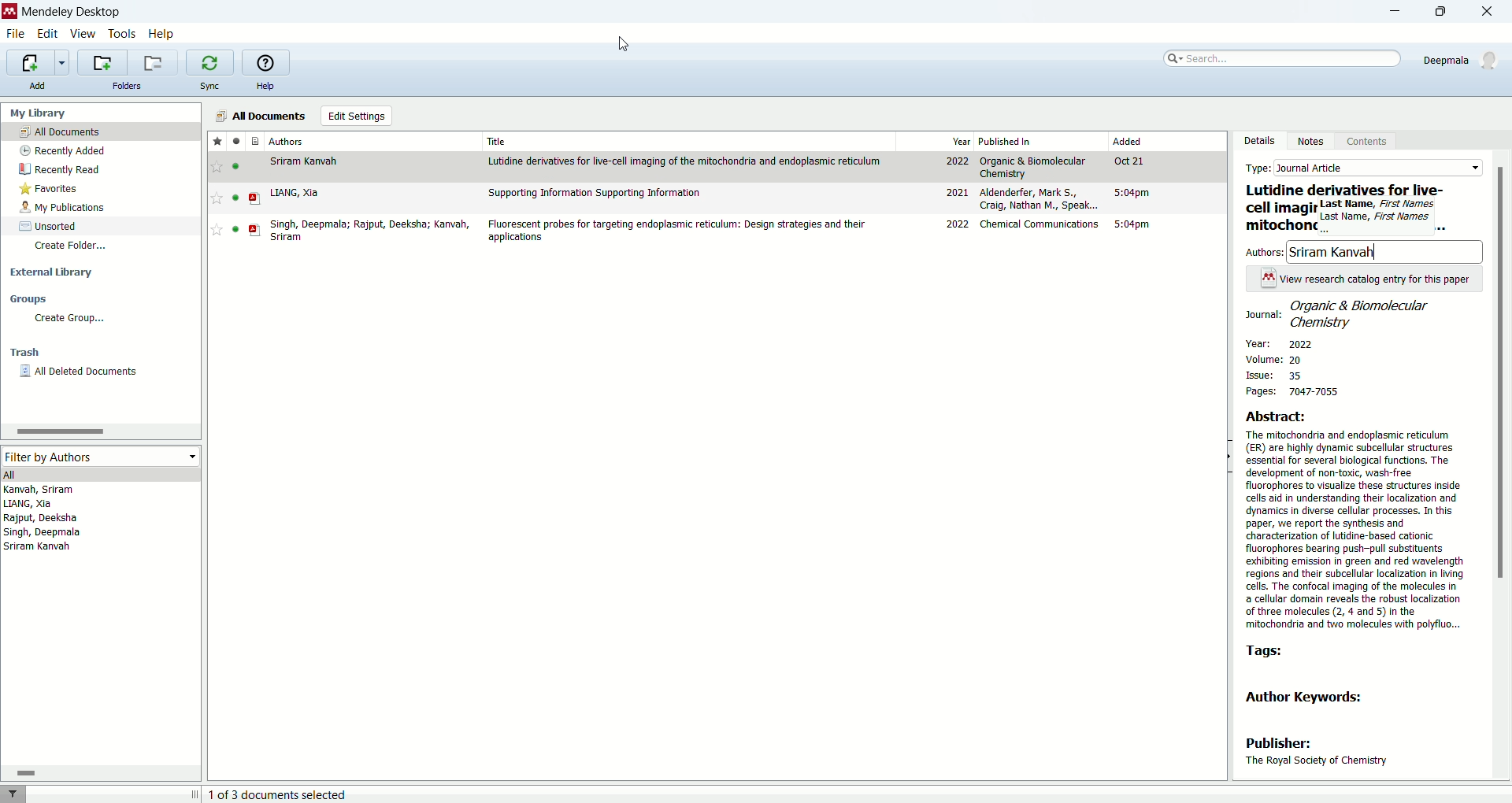 The height and width of the screenshot is (803, 1512). What do you see at coordinates (1465, 58) in the screenshot?
I see `account` at bounding box center [1465, 58].